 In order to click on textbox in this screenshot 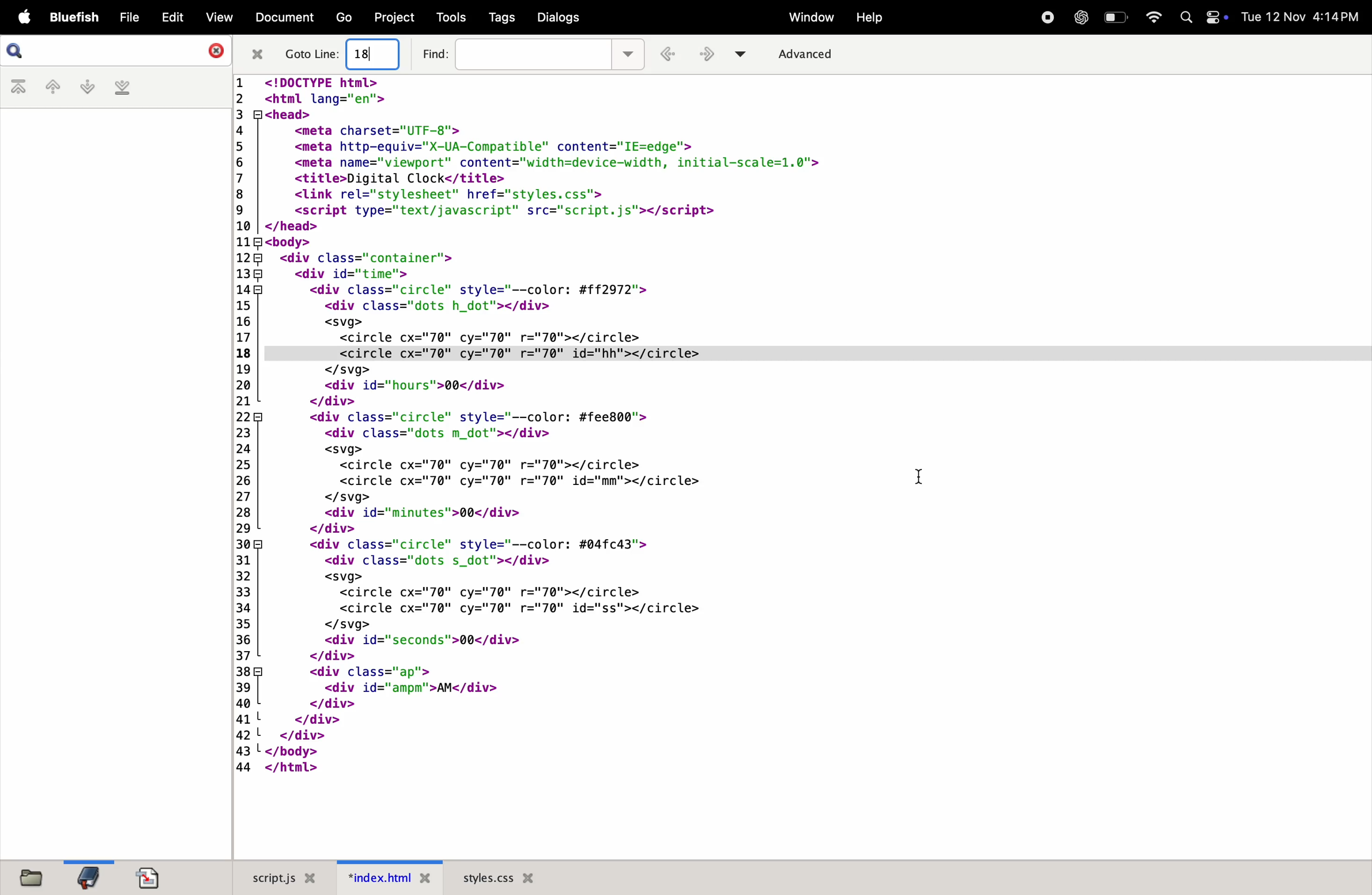, I will do `click(377, 55)`.